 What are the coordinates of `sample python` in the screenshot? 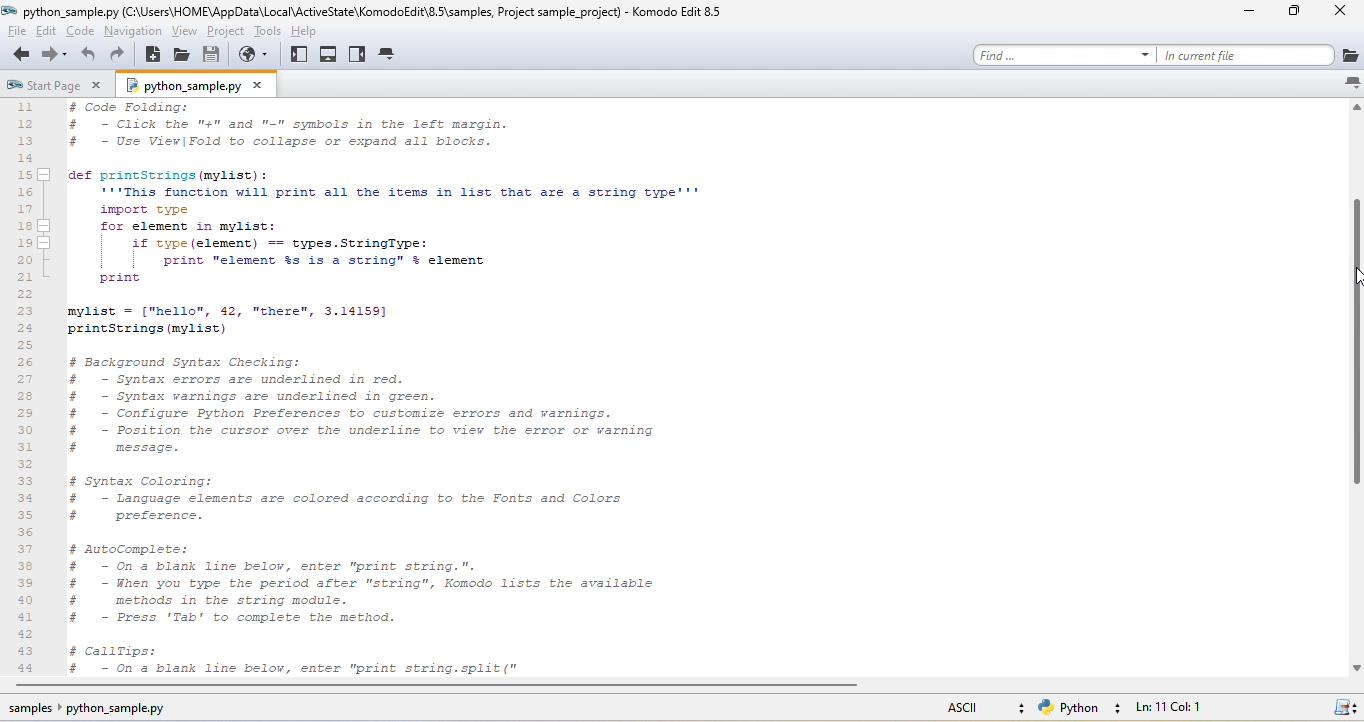 It's located at (102, 710).